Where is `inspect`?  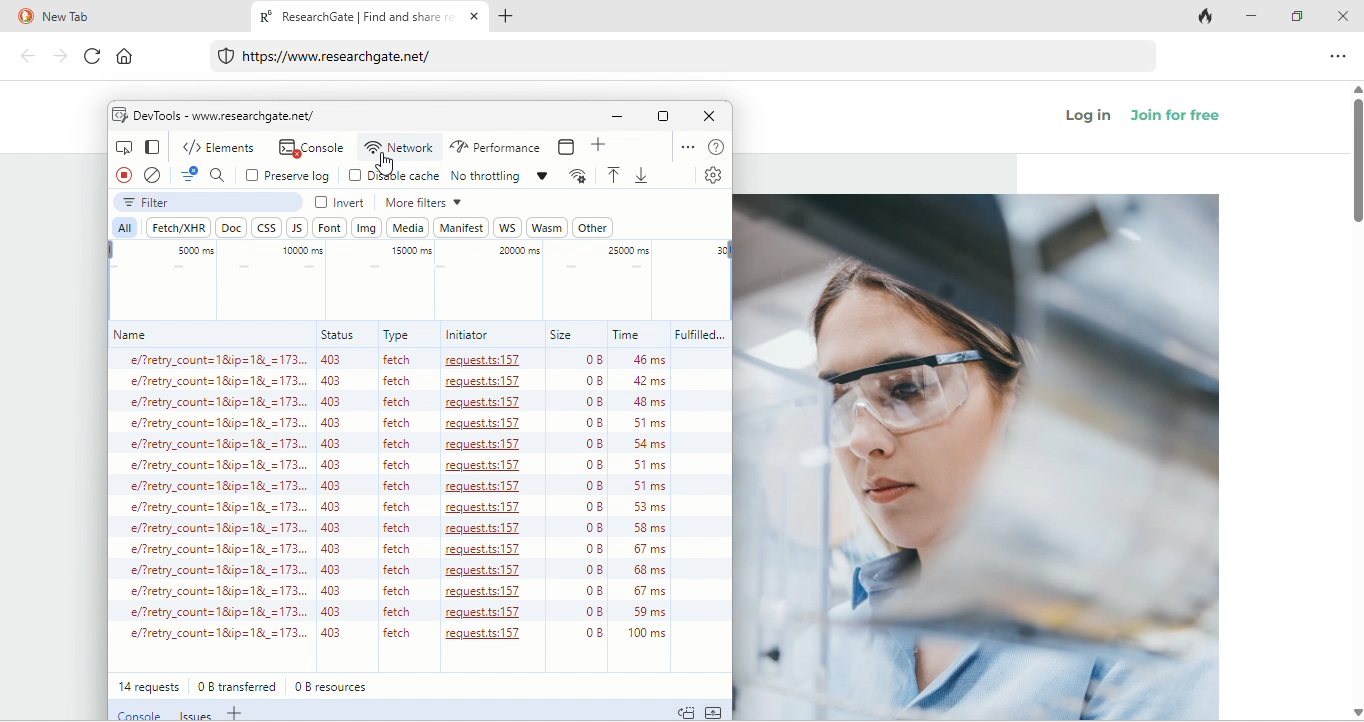
inspect is located at coordinates (122, 146).